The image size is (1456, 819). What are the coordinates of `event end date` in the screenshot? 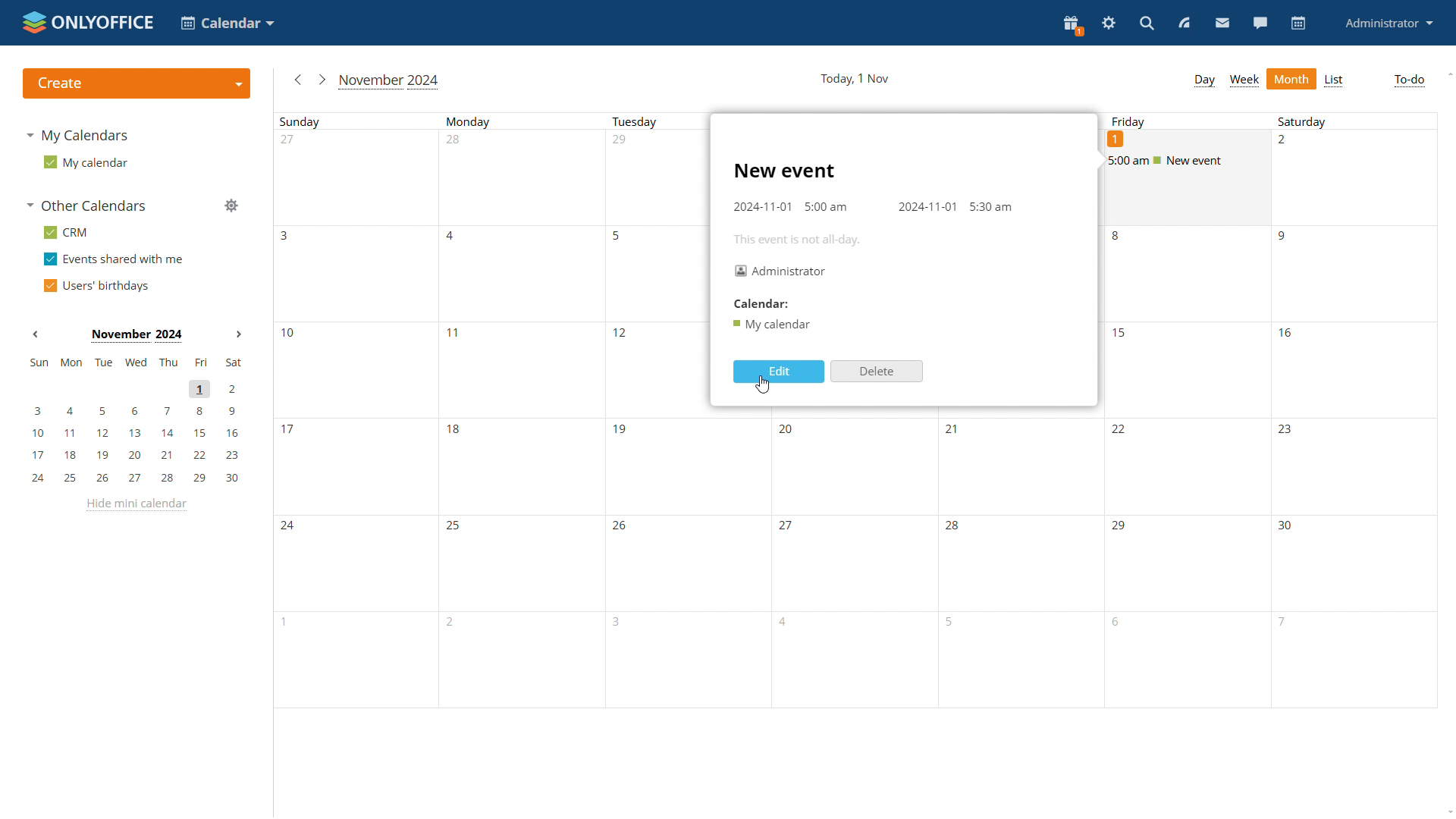 It's located at (927, 208).